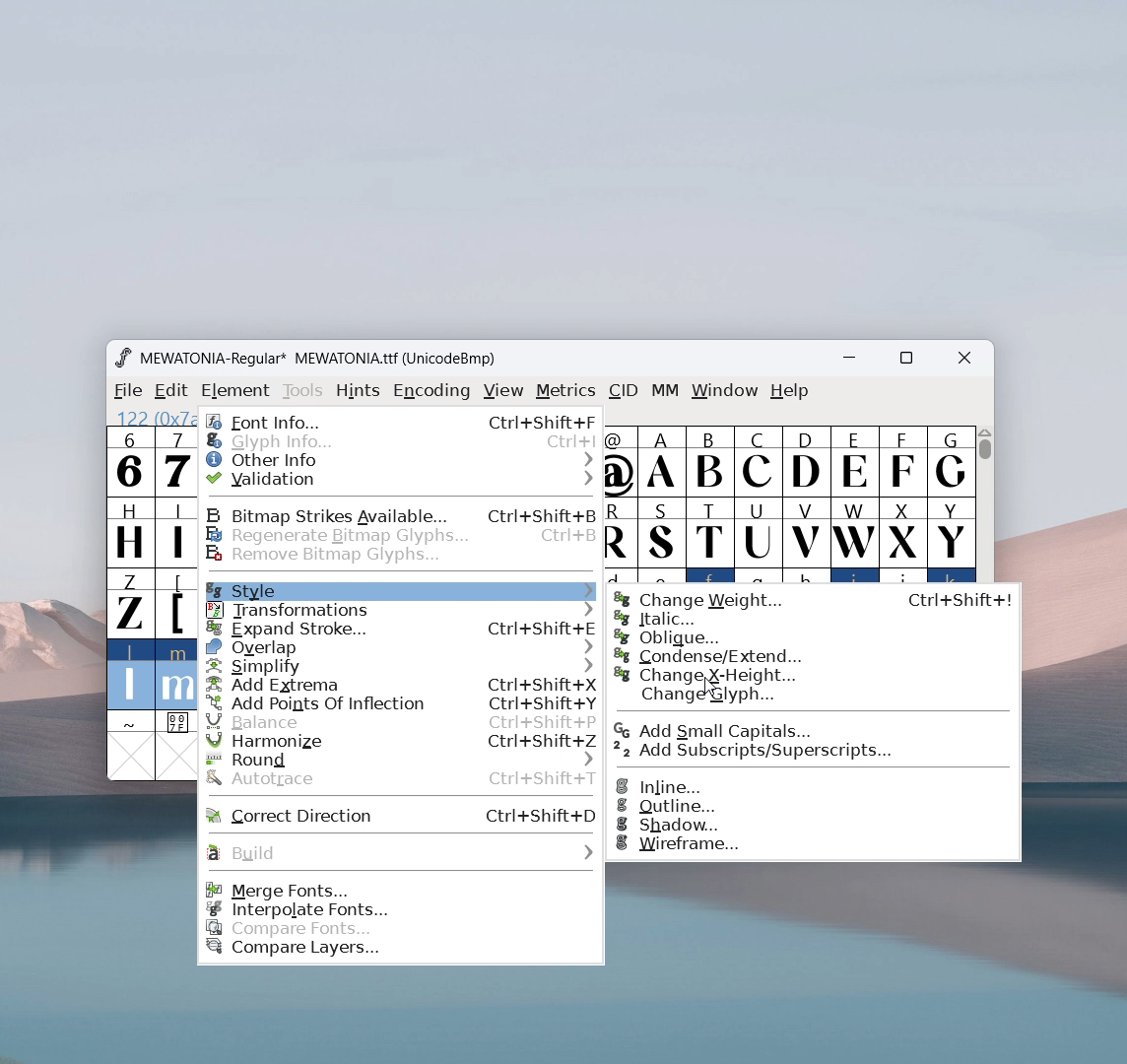  What do you see at coordinates (175, 531) in the screenshot?
I see `I` at bounding box center [175, 531].